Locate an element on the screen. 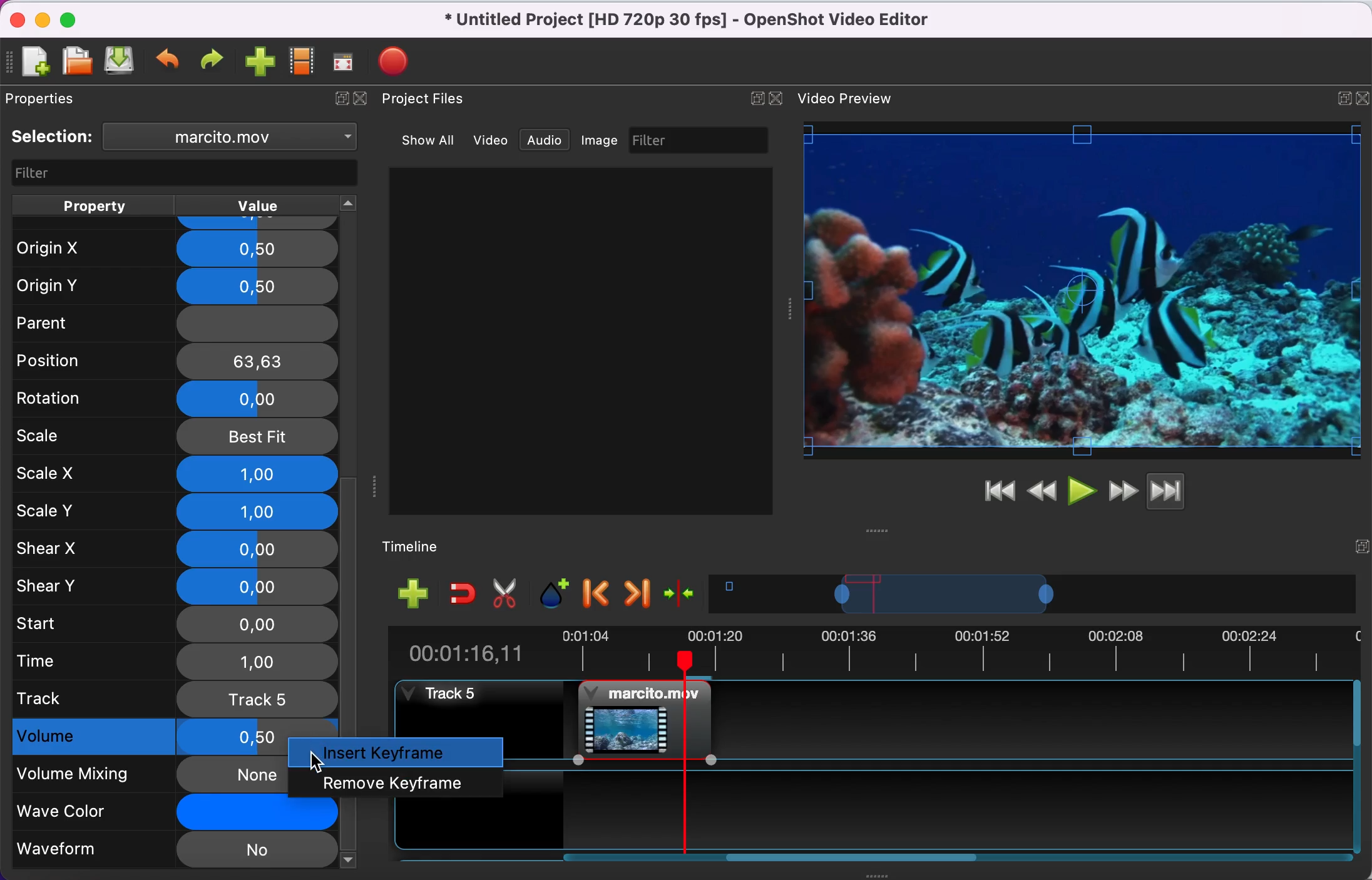 The height and width of the screenshot is (880, 1372). selection is located at coordinates (54, 137).